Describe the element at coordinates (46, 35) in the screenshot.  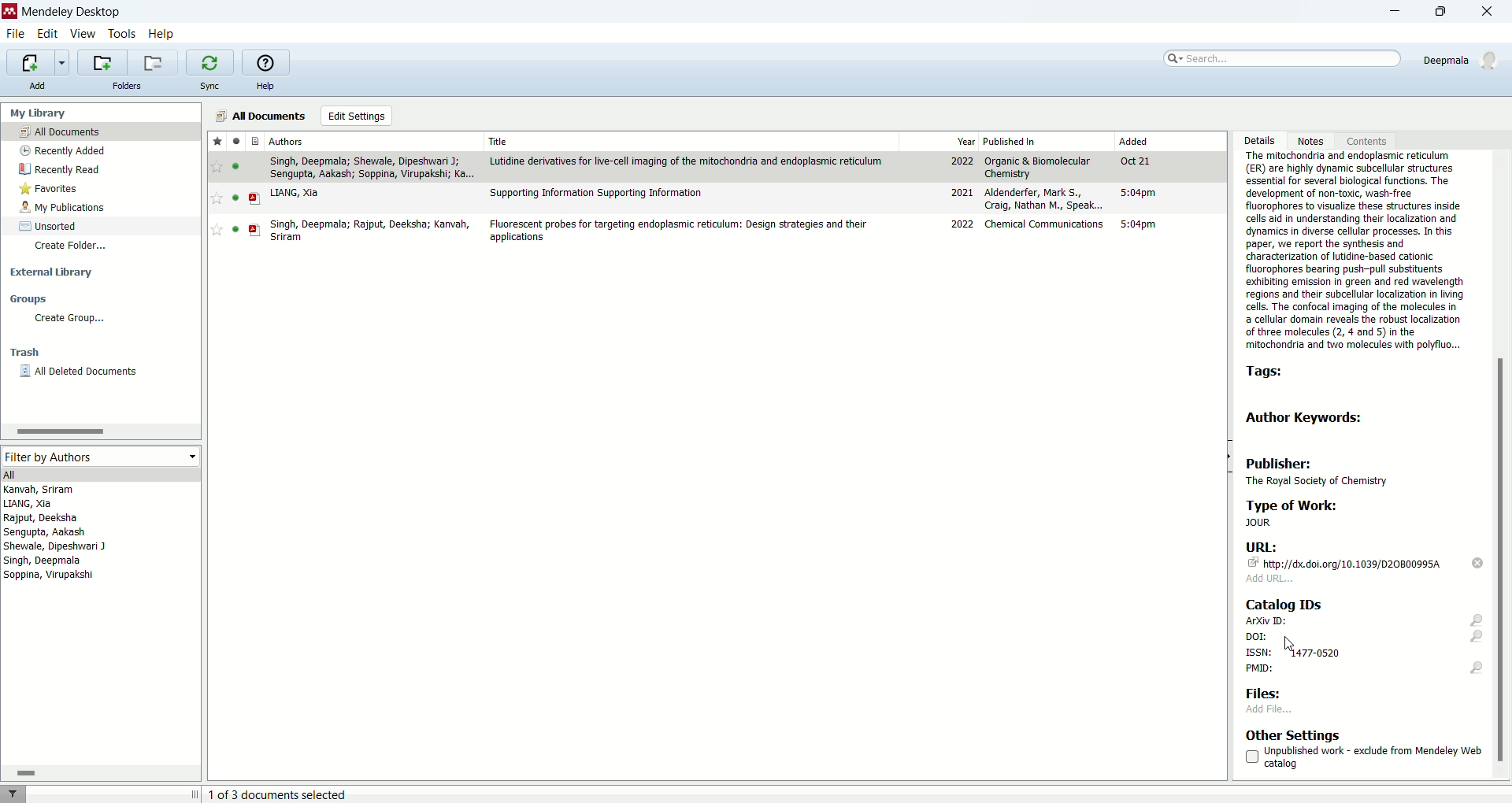
I see `edit` at that location.